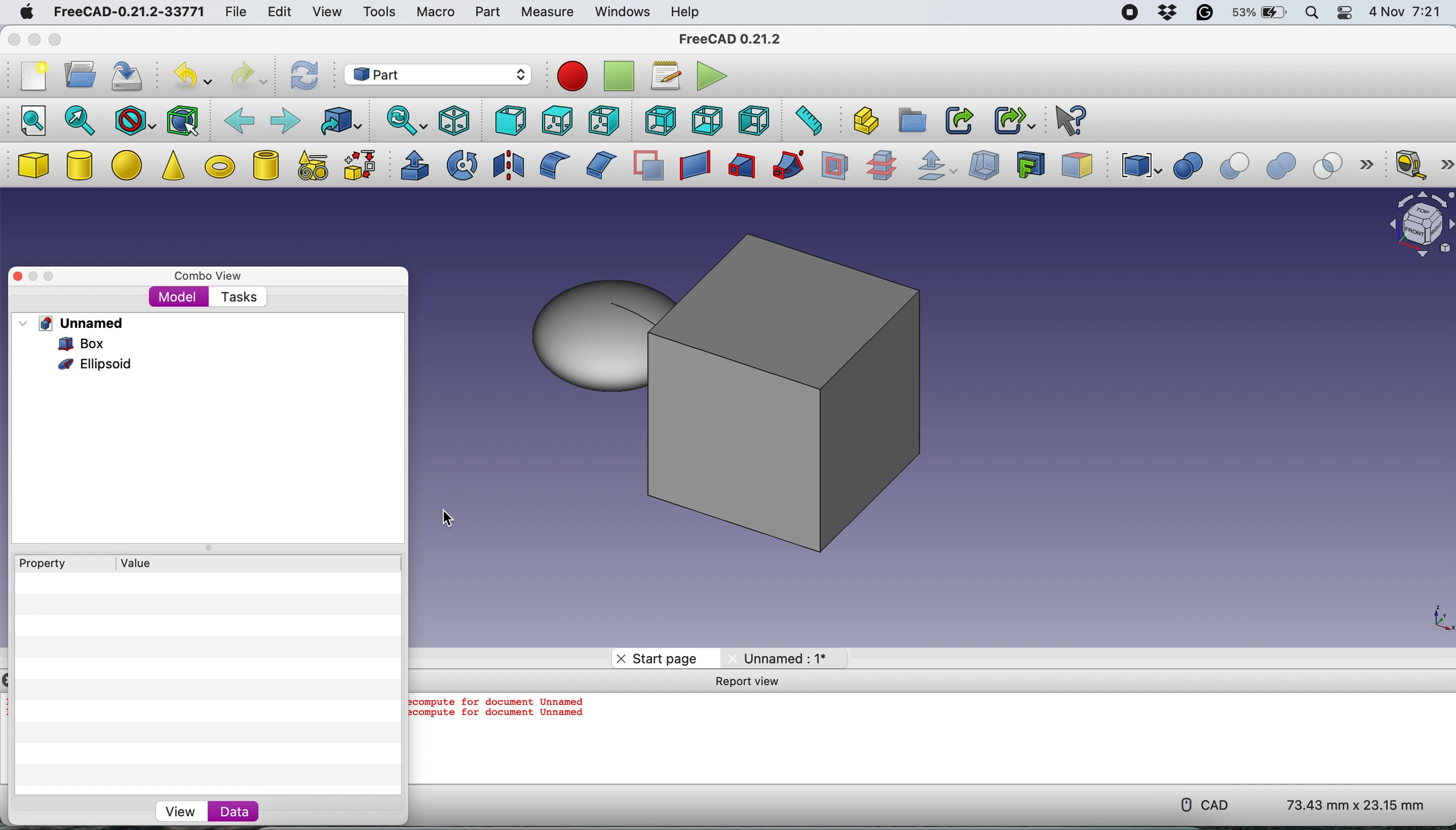 The image size is (1456, 830). Describe the element at coordinates (284, 119) in the screenshot. I see `forward` at that location.